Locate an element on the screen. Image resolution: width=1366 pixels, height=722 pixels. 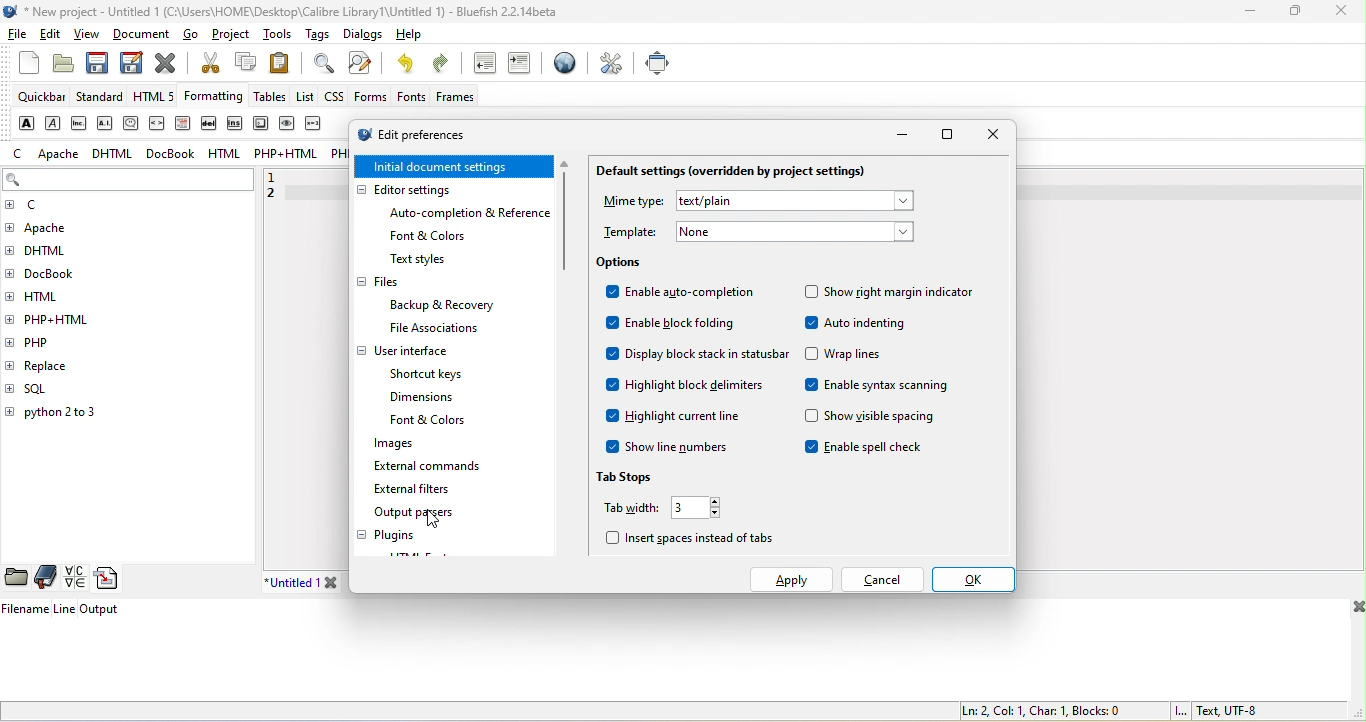
close is located at coordinates (1355, 609).